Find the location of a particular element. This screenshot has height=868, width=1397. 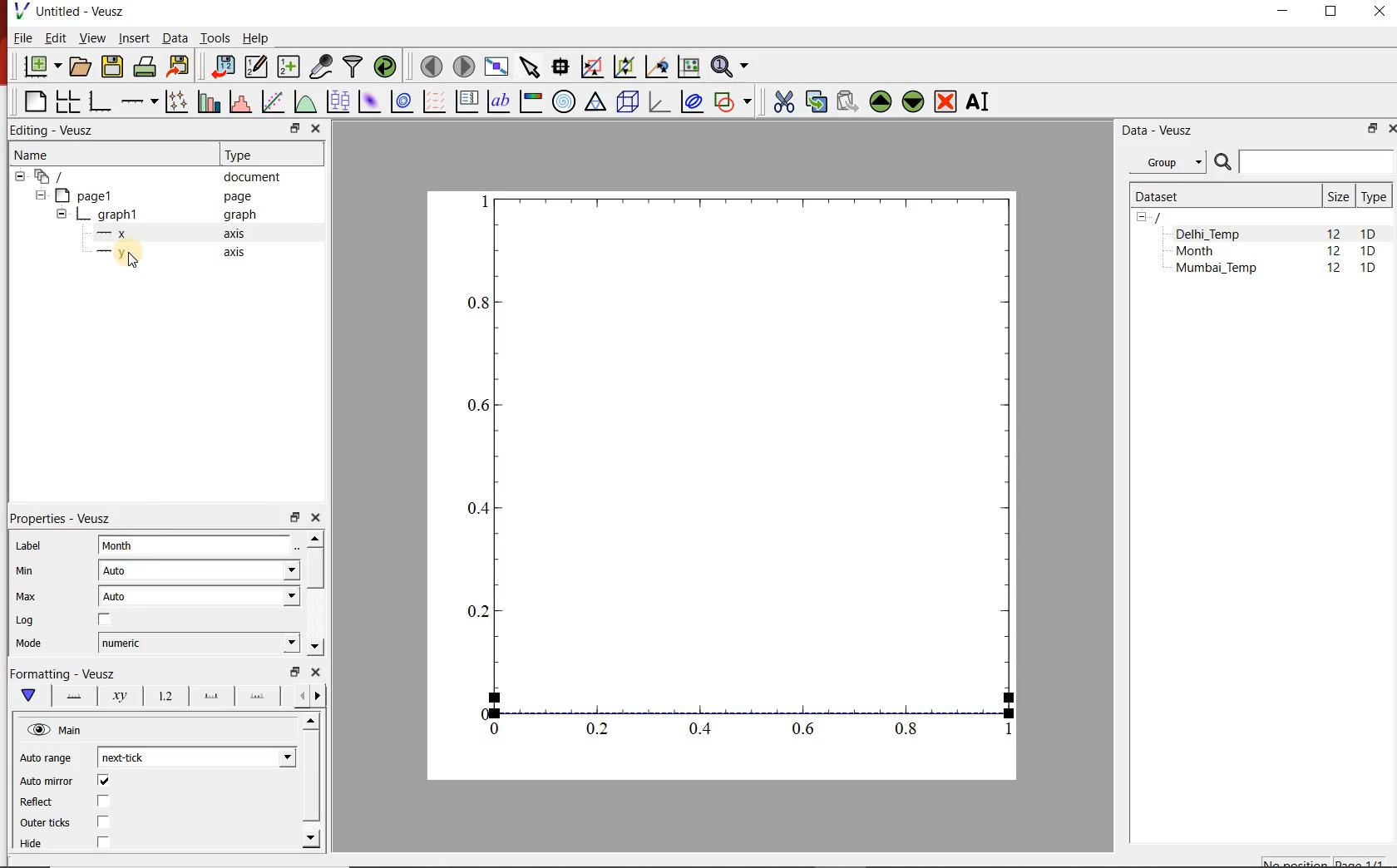

-x axis is located at coordinates (164, 234).